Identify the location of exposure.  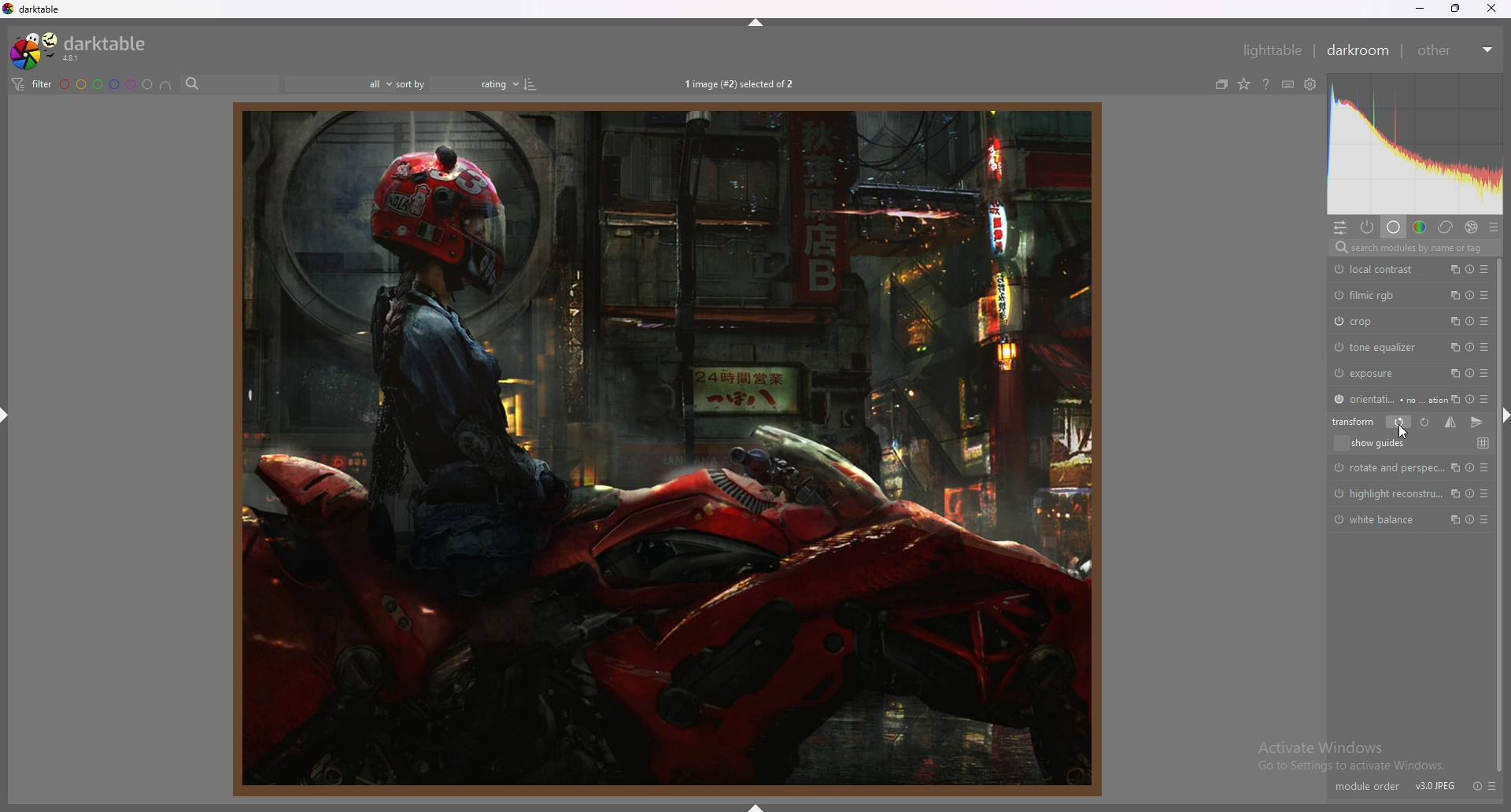
(1370, 373).